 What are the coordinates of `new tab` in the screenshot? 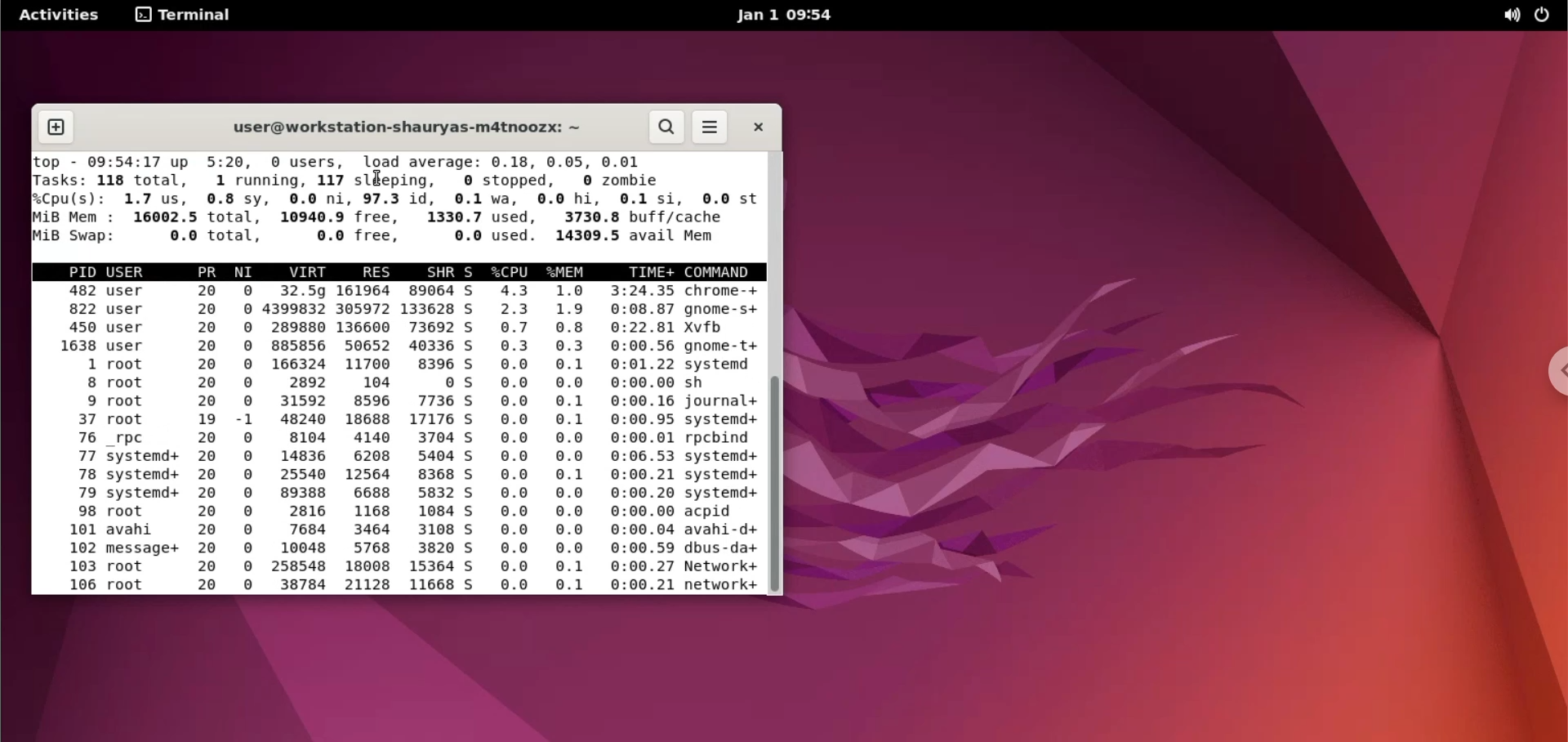 It's located at (58, 124).